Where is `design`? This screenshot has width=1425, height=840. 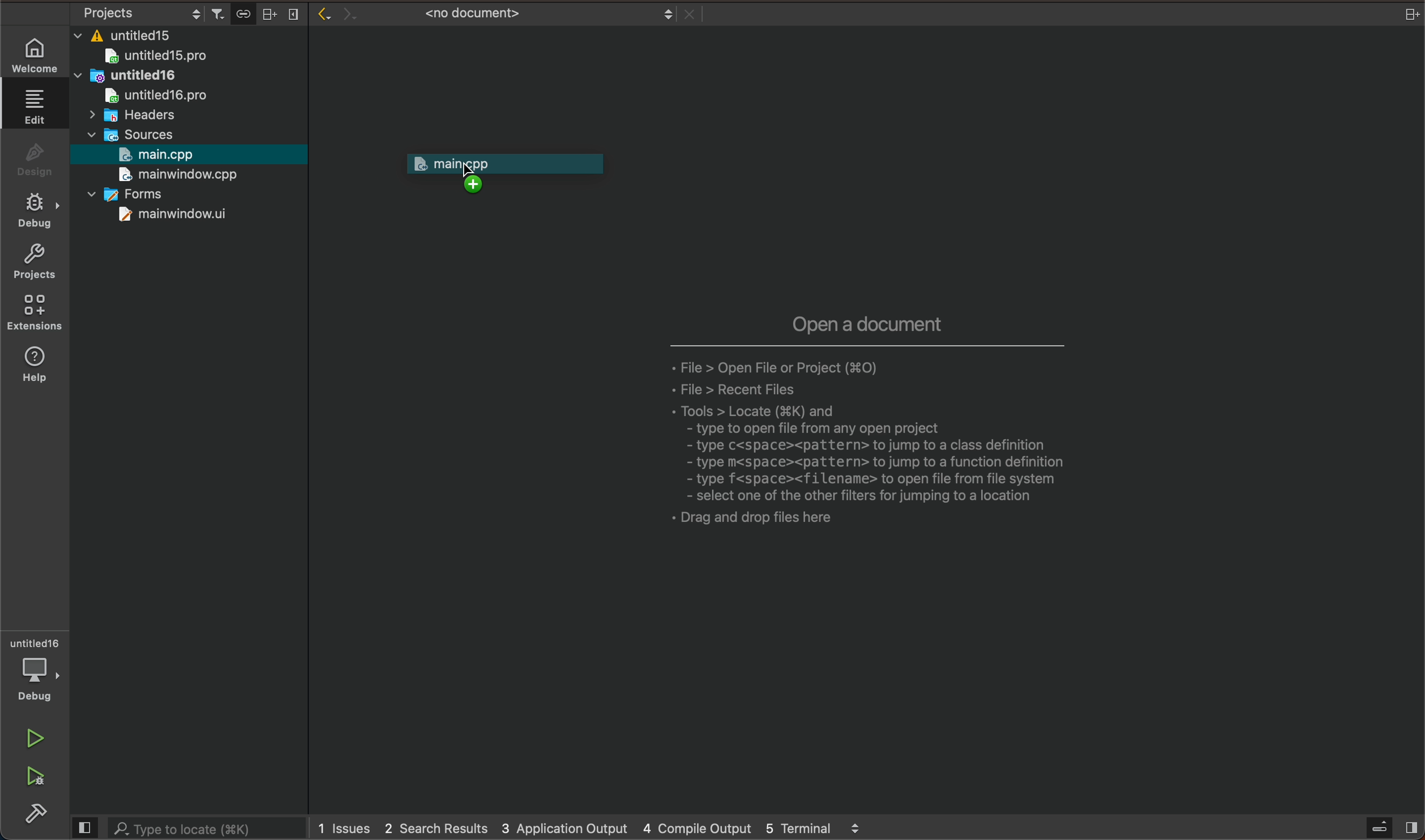 design is located at coordinates (32, 160).